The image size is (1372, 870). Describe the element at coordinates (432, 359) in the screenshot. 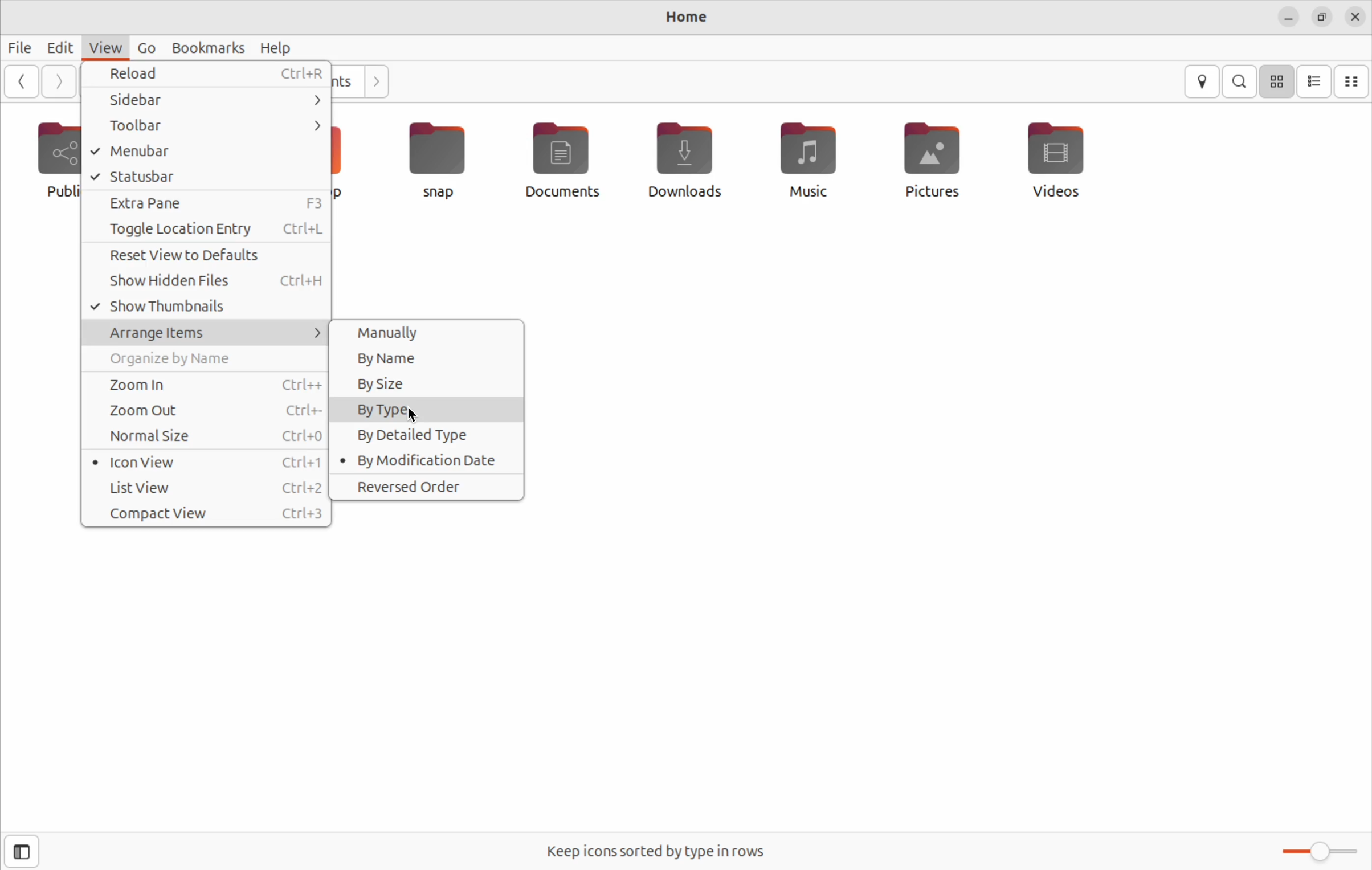

I see `by name` at that location.